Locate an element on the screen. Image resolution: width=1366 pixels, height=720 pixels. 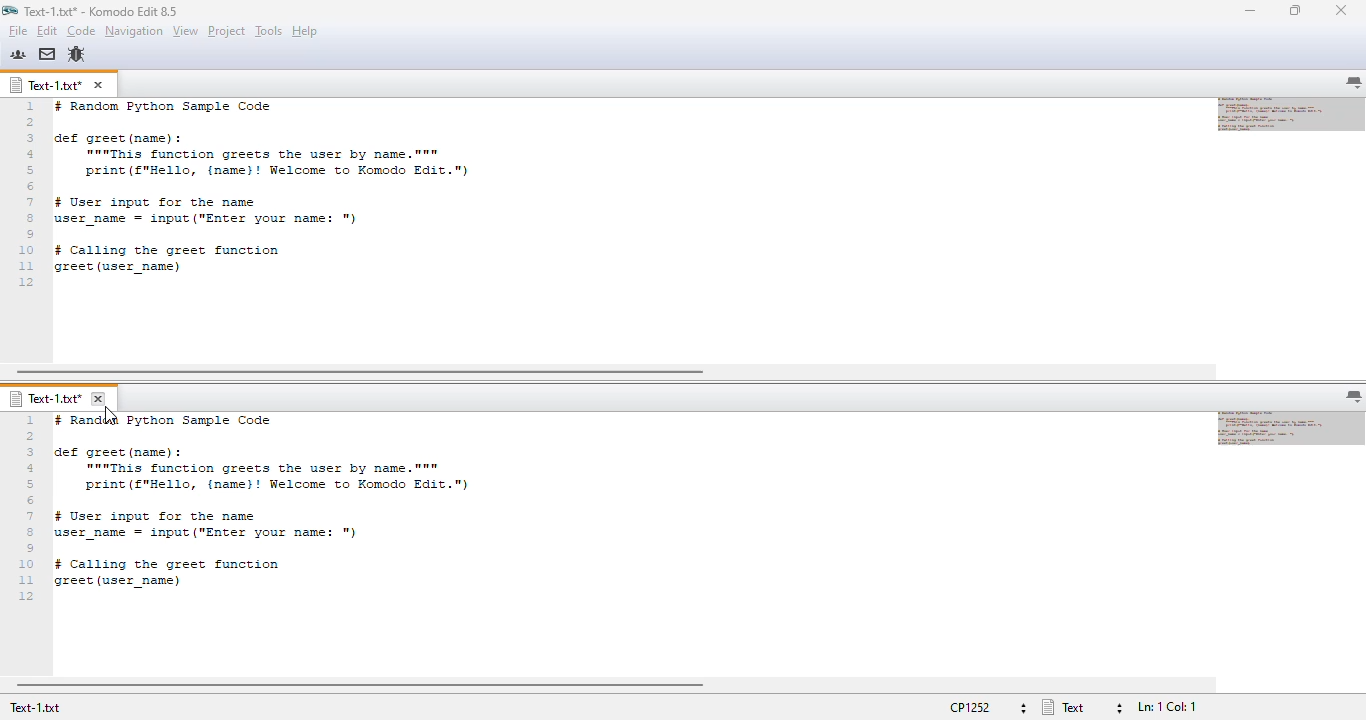
navigation is located at coordinates (133, 31).